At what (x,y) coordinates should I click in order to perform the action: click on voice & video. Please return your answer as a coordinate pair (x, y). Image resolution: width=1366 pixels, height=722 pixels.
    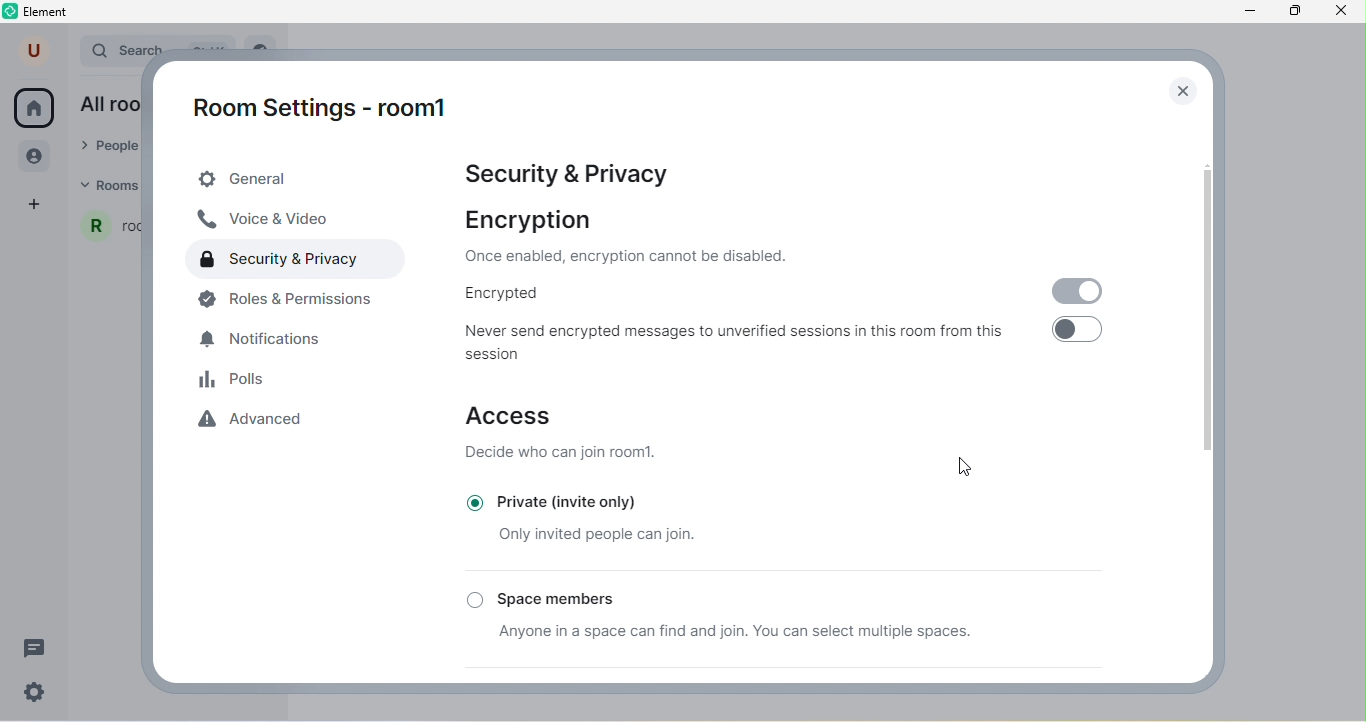
    Looking at the image, I should click on (274, 220).